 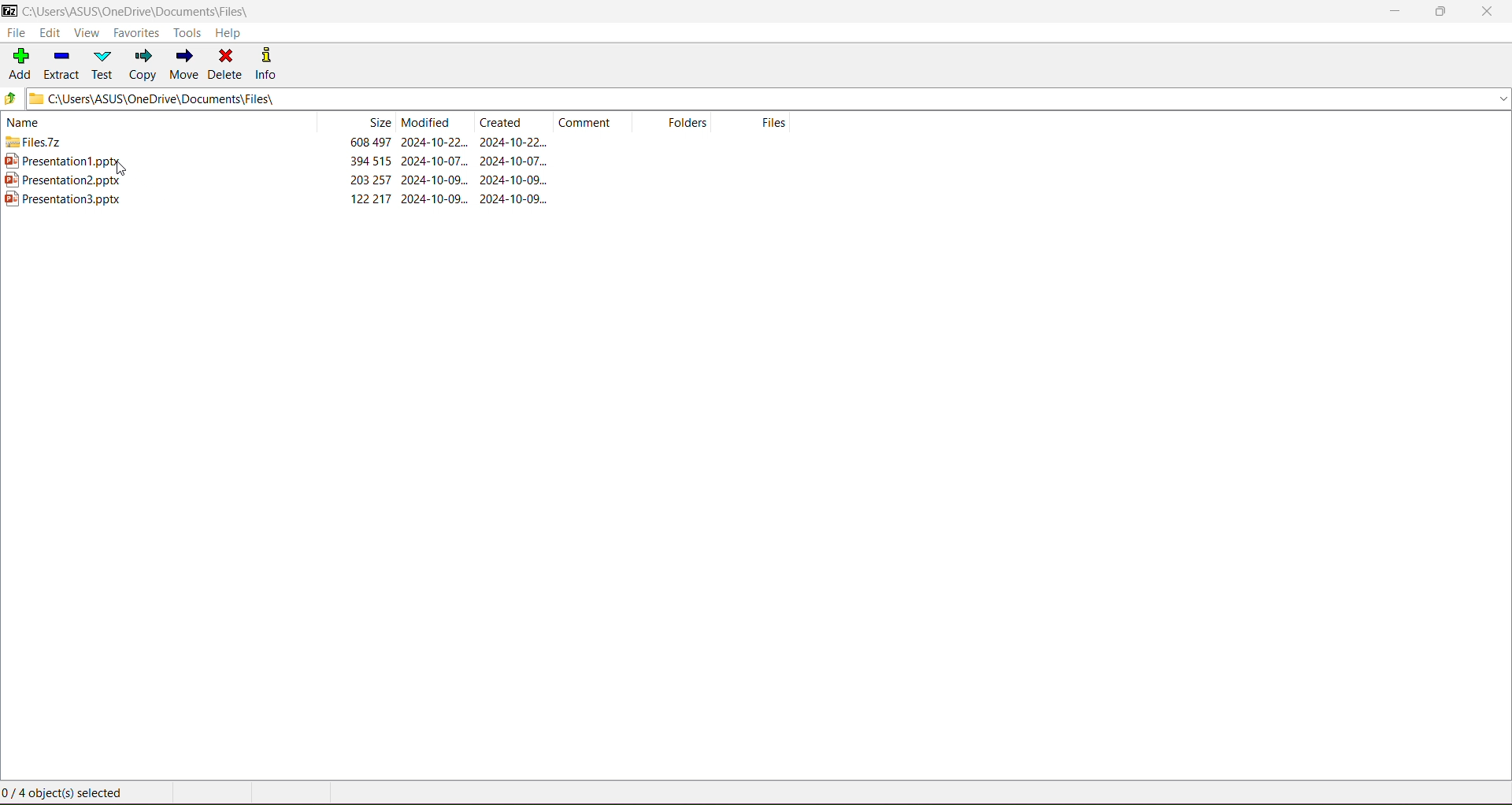 I want to click on 2024-10-07, so click(x=513, y=161).